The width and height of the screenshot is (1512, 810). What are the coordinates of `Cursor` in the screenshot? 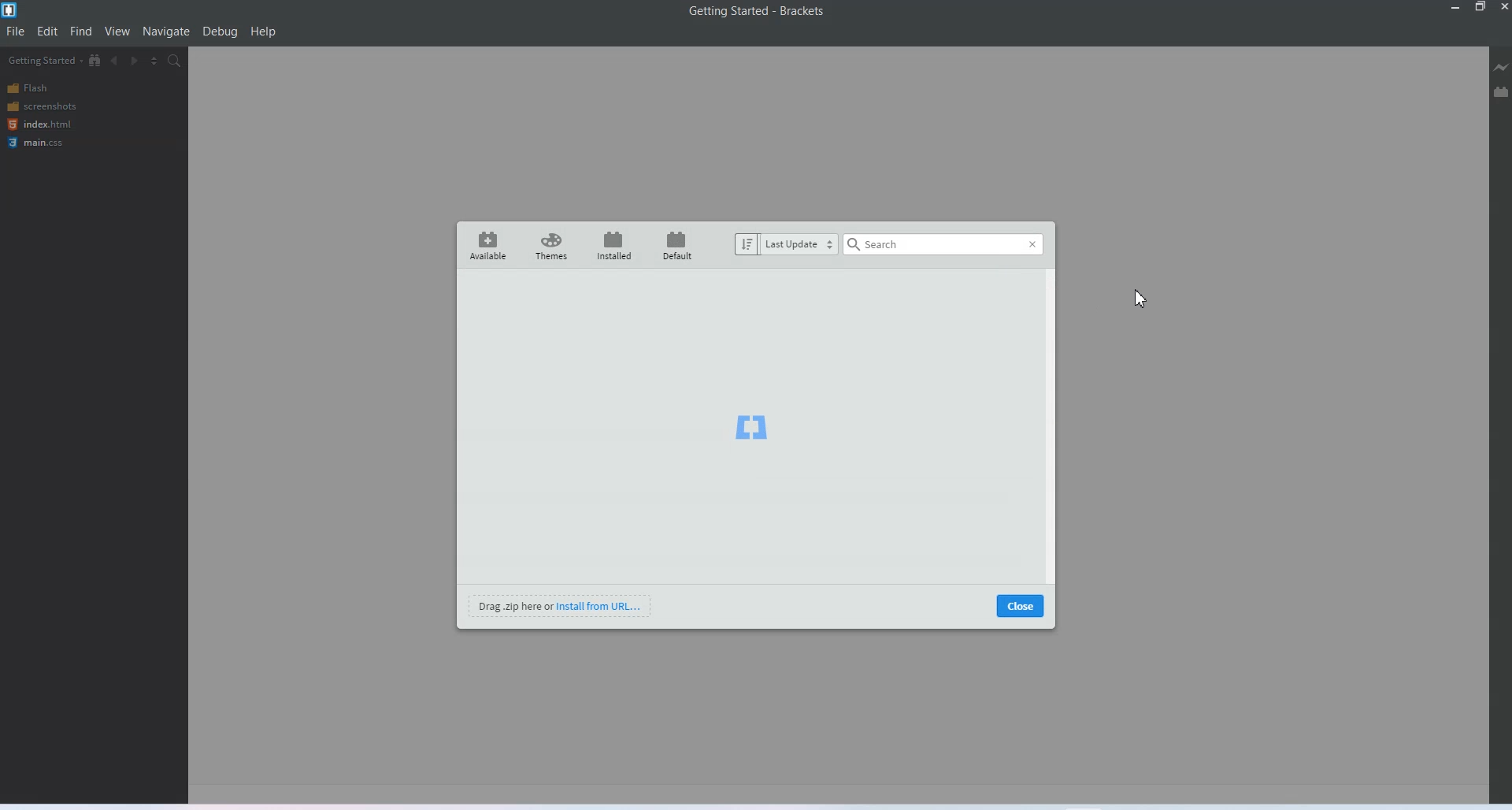 It's located at (1140, 300).